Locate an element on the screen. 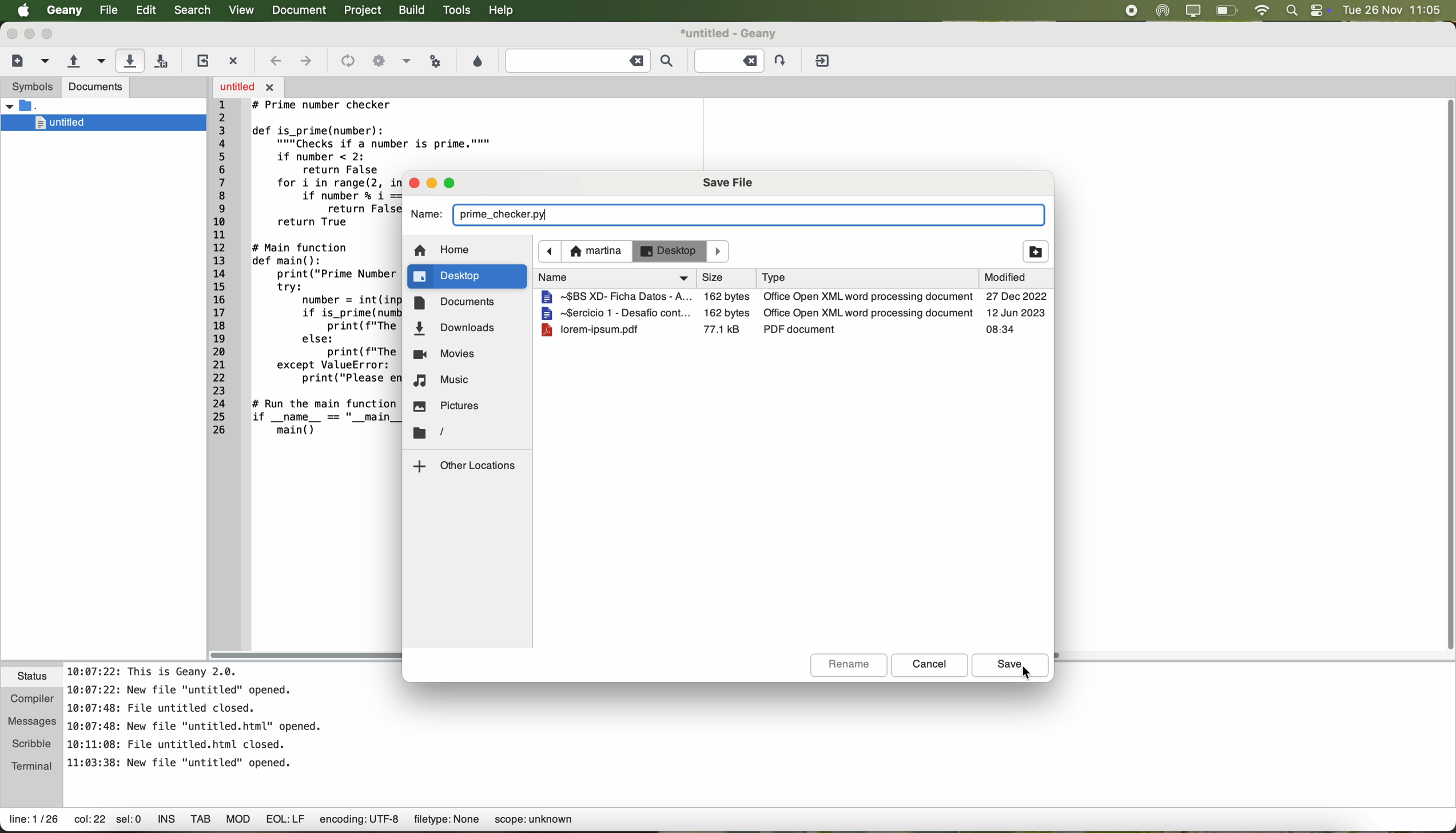  close pop-up is located at coordinates (413, 183).